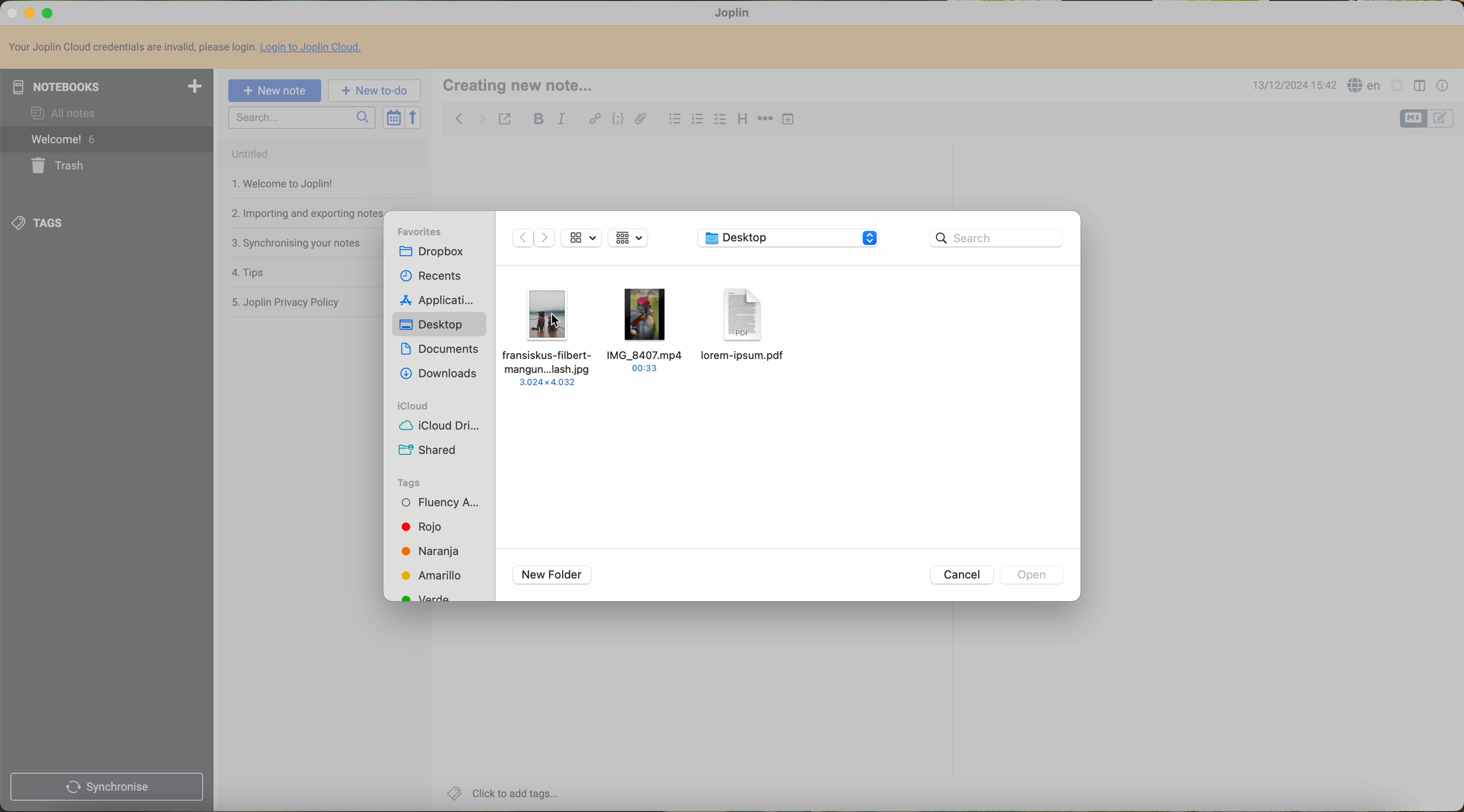 The height and width of the screenshot is (812, 1464). Describe the element at coordinates (635, 239) in the screenshot. I see `mosaic view` at that location.